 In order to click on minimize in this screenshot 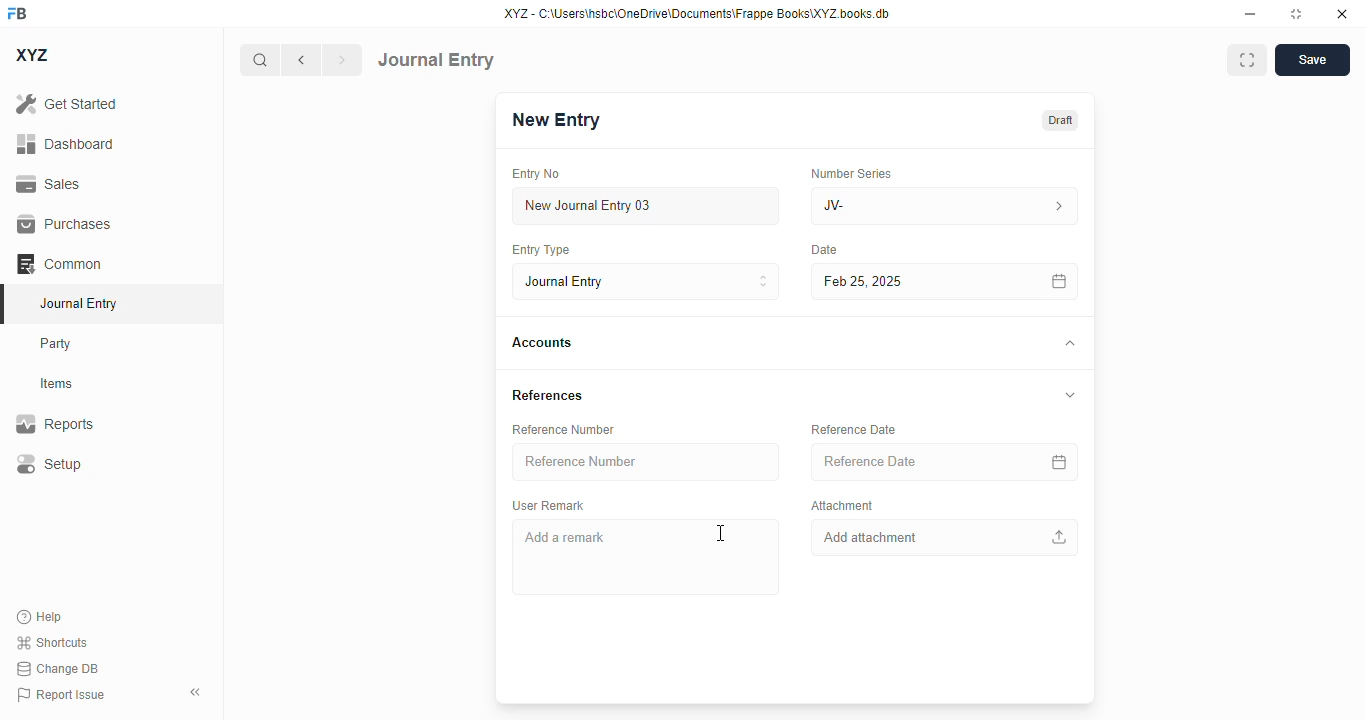, I will do `click(1251, 13)`.